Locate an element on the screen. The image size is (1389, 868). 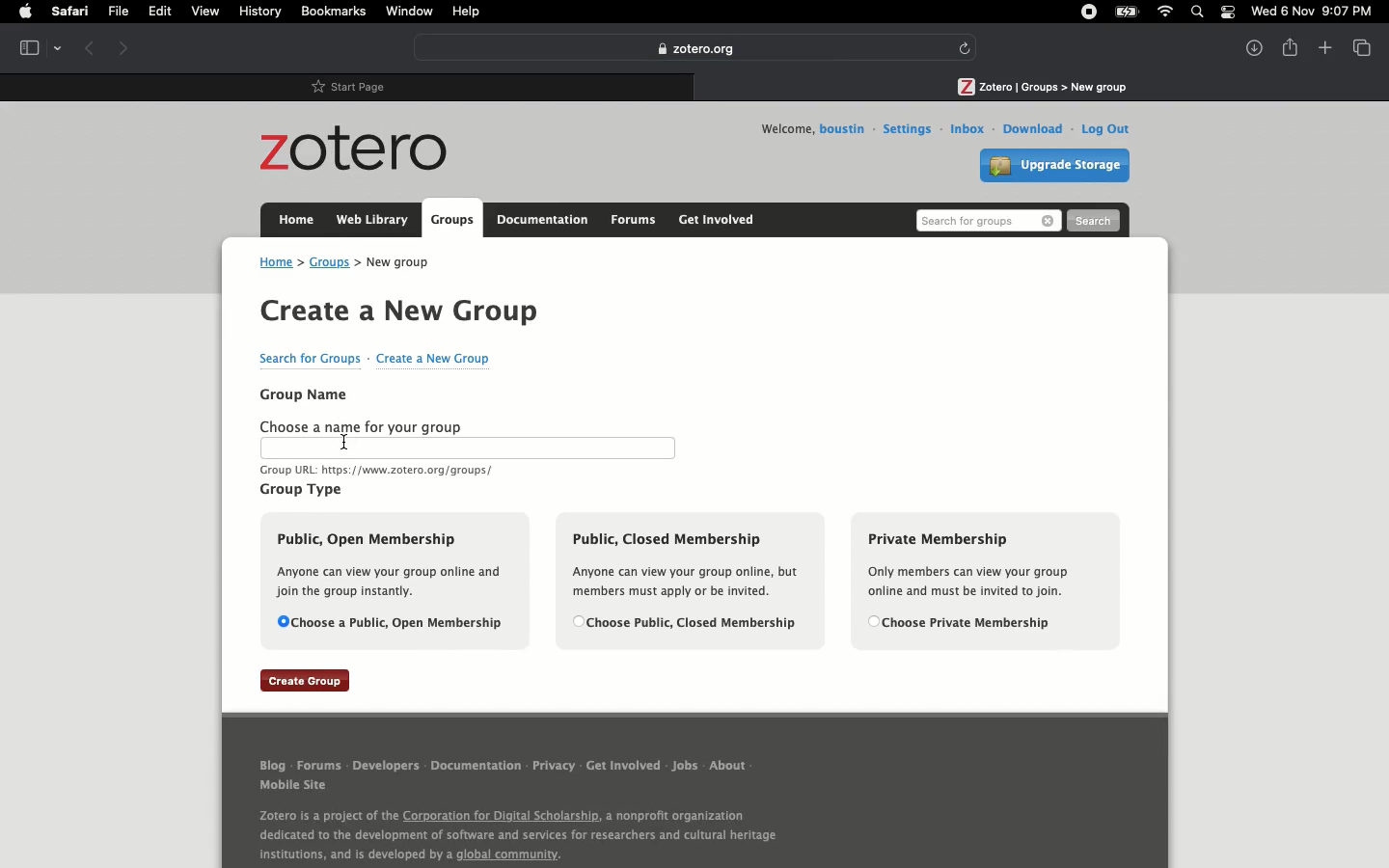
Public open membership is located at coordinates (398, 582).